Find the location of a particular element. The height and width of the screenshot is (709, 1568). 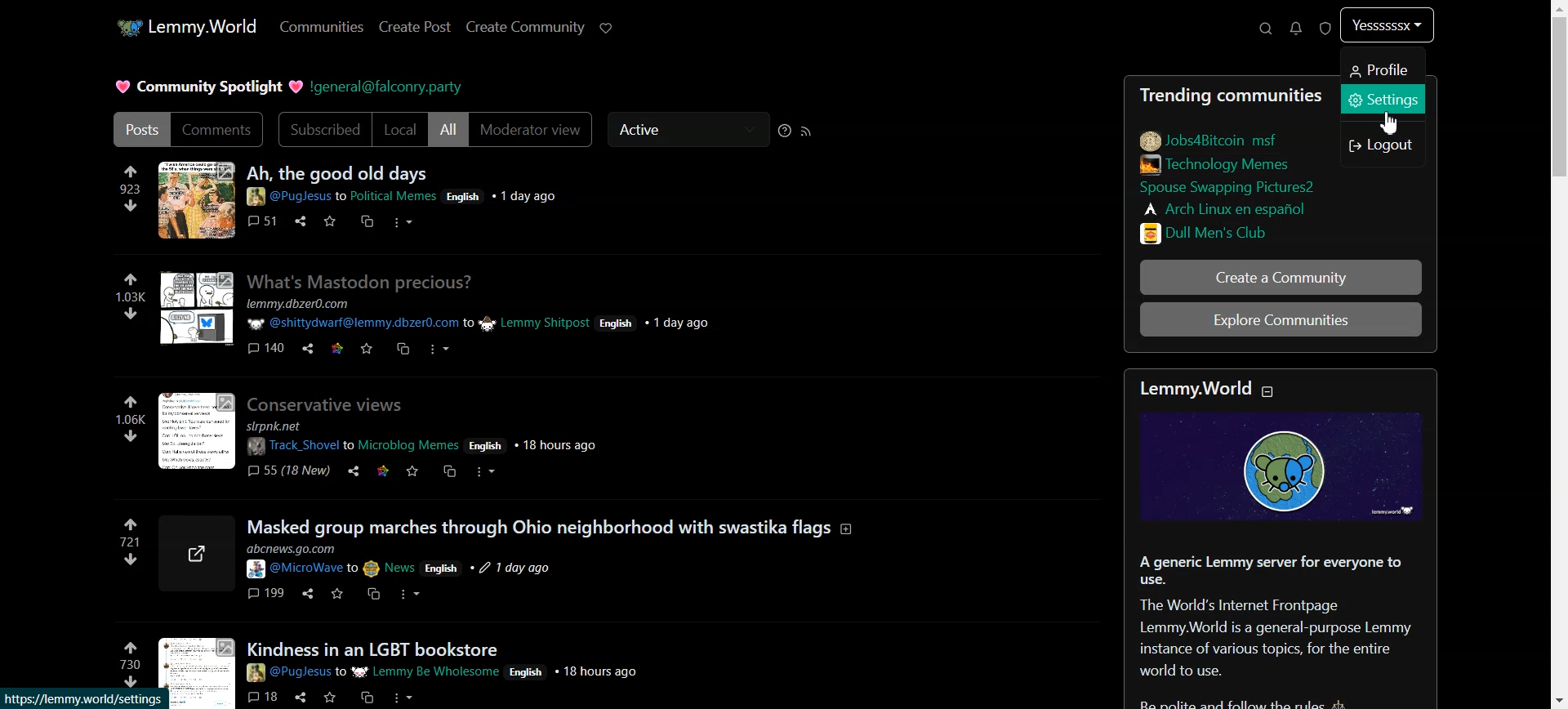

Comments is located at coordinates (218, 130).